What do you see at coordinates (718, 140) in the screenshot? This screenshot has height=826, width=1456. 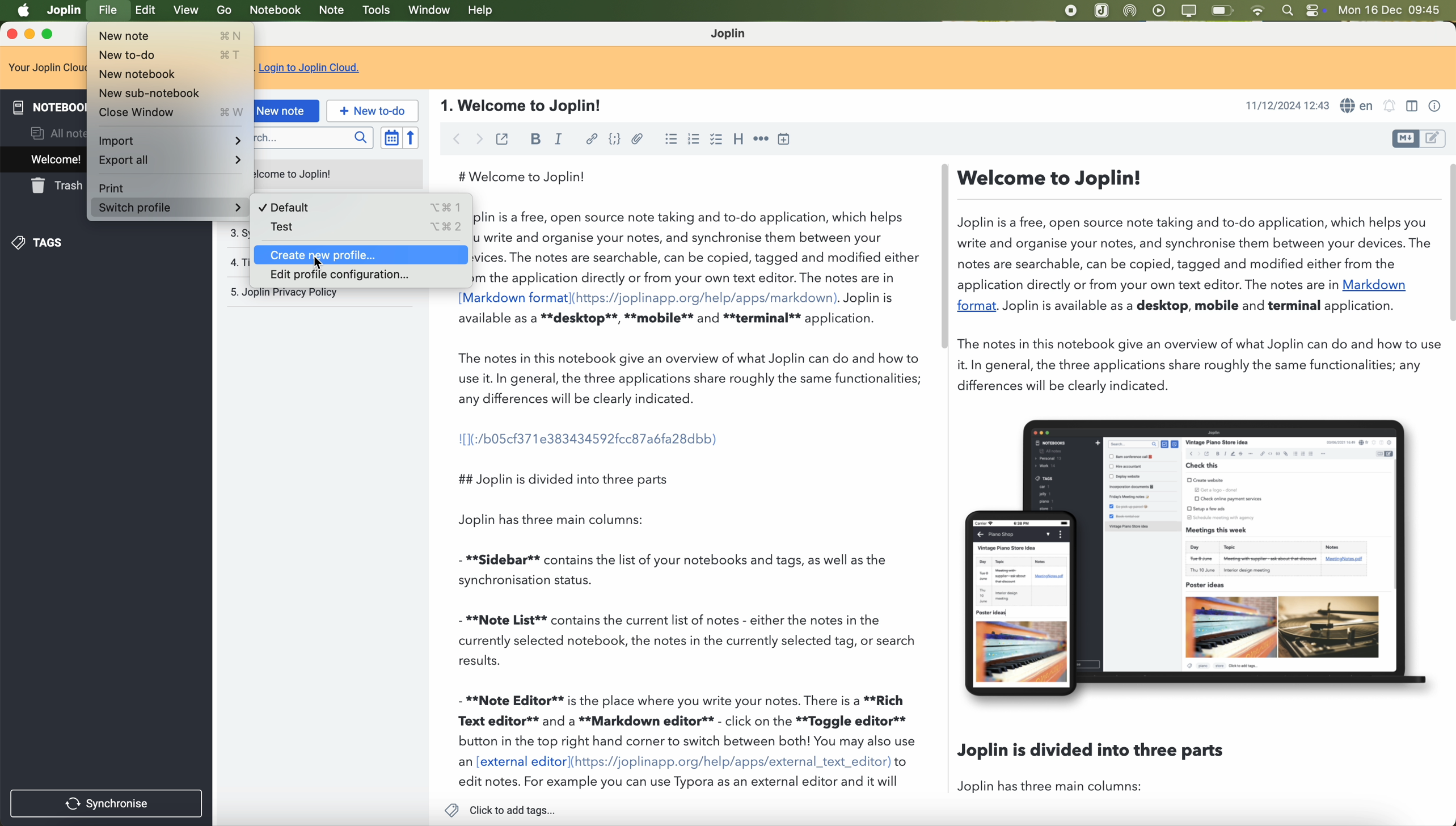 I see `checkbox` at bounding box center [718, 140].